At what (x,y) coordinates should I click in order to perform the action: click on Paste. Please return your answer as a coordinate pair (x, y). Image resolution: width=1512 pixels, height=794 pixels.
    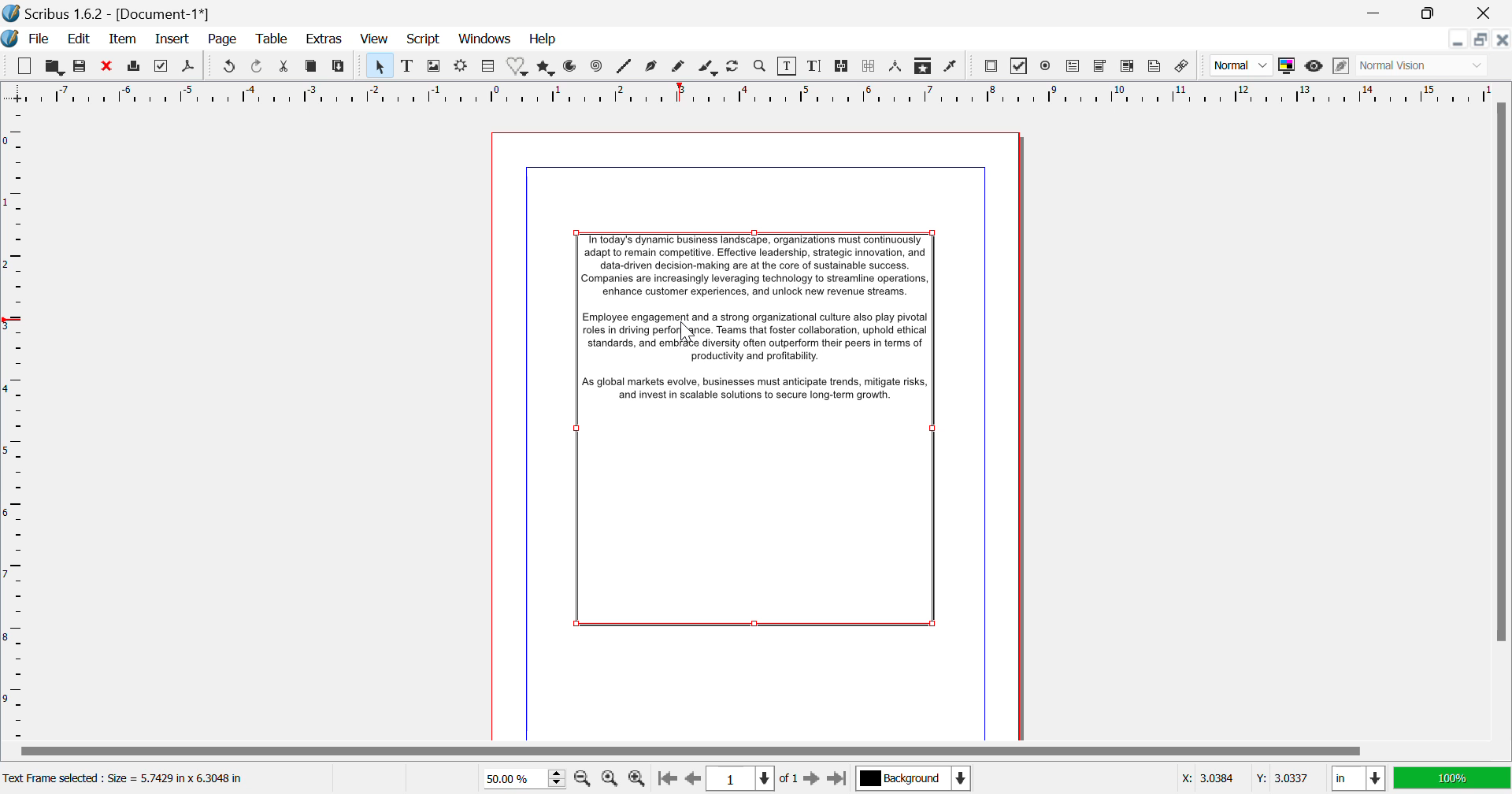
    Looking at the image, I should click on (339, 66).